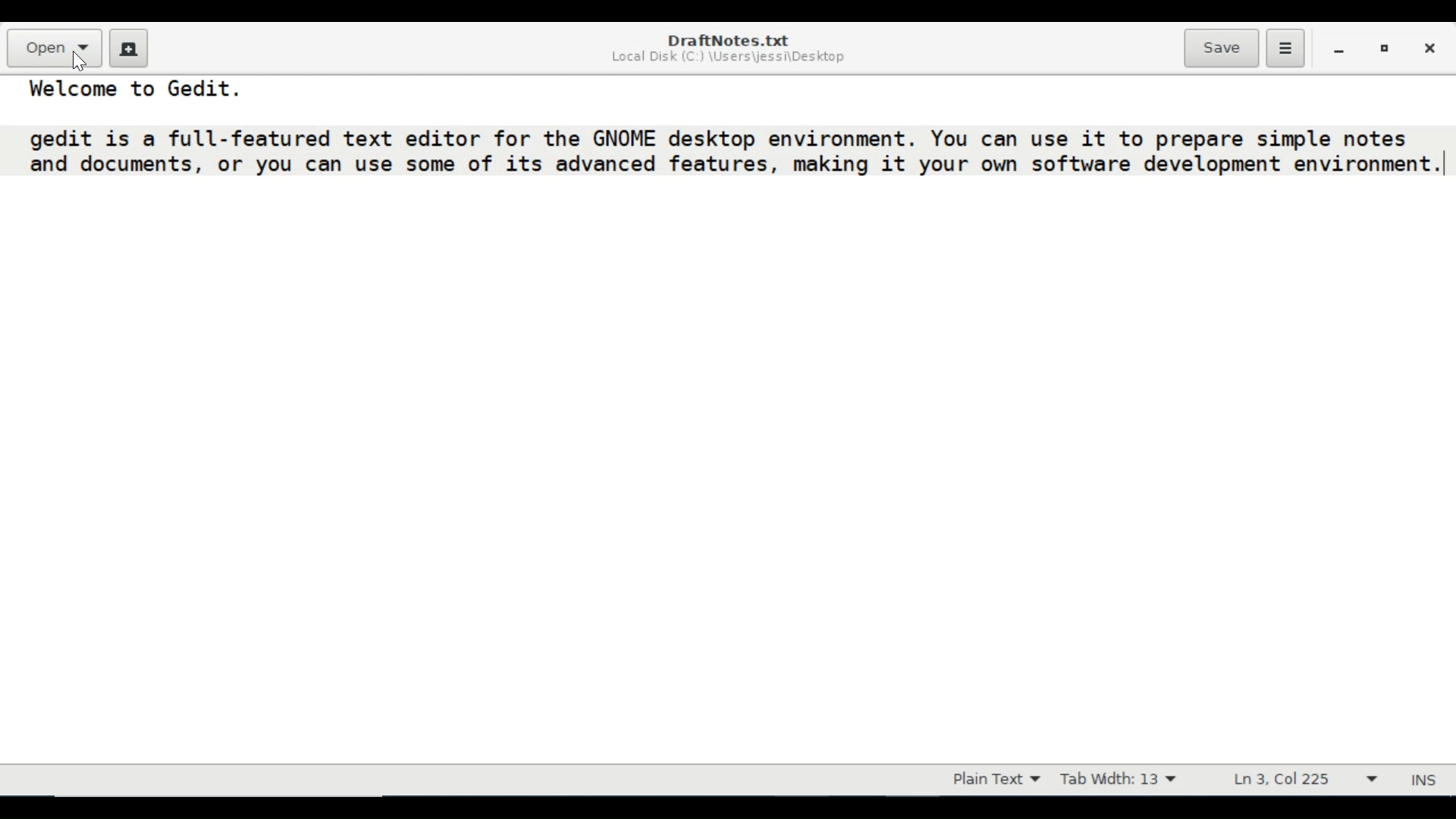 The height and width of the screenshot is (819, 1456). Describe the element at coordinates (1385, 47) in the screenshot. I see `Restore` at that location.